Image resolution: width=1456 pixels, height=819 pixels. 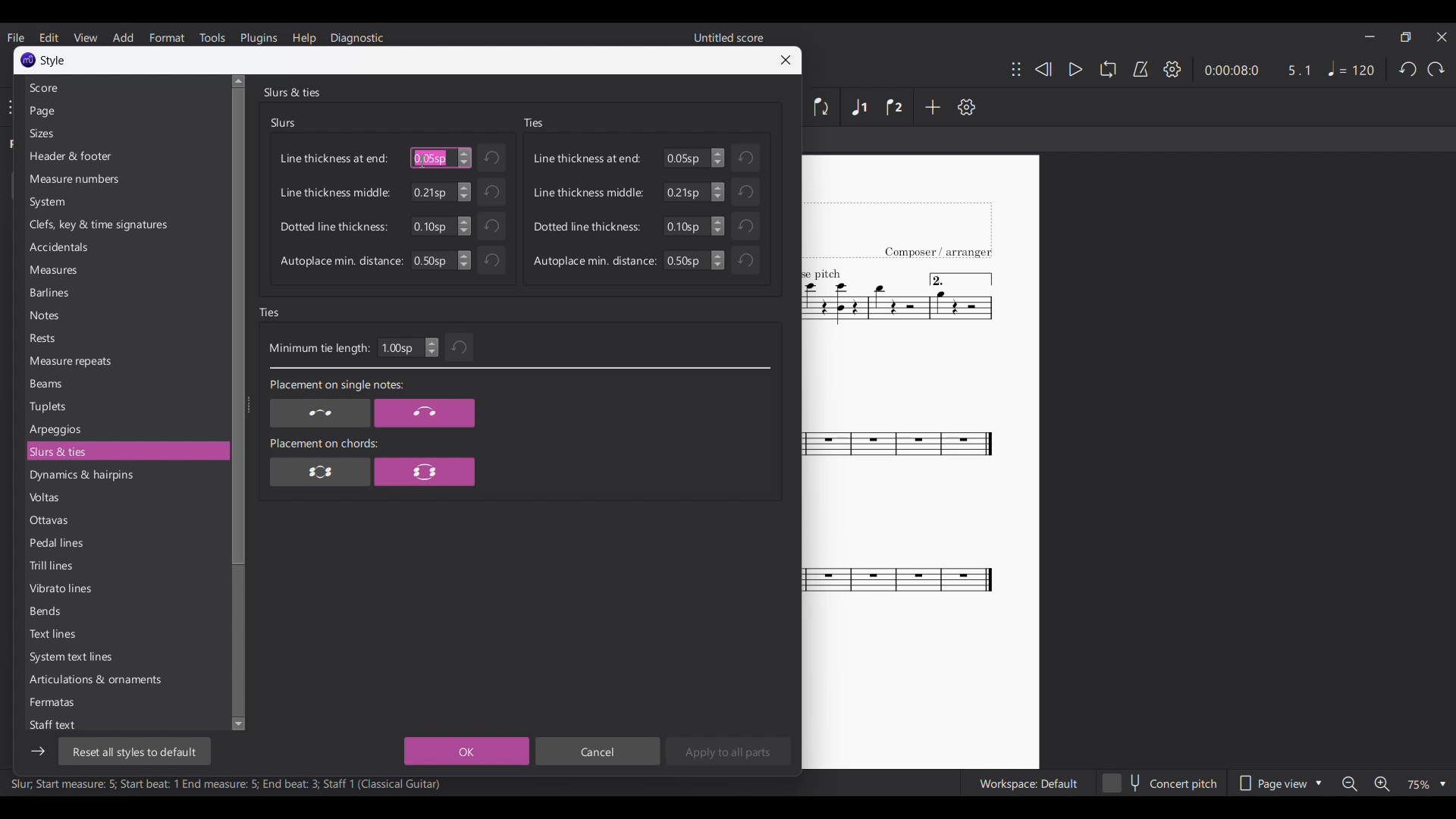 What do you see at coordinates (491, 226) in the screenshot?
I see `Undo` at bounding box center [491, 226].